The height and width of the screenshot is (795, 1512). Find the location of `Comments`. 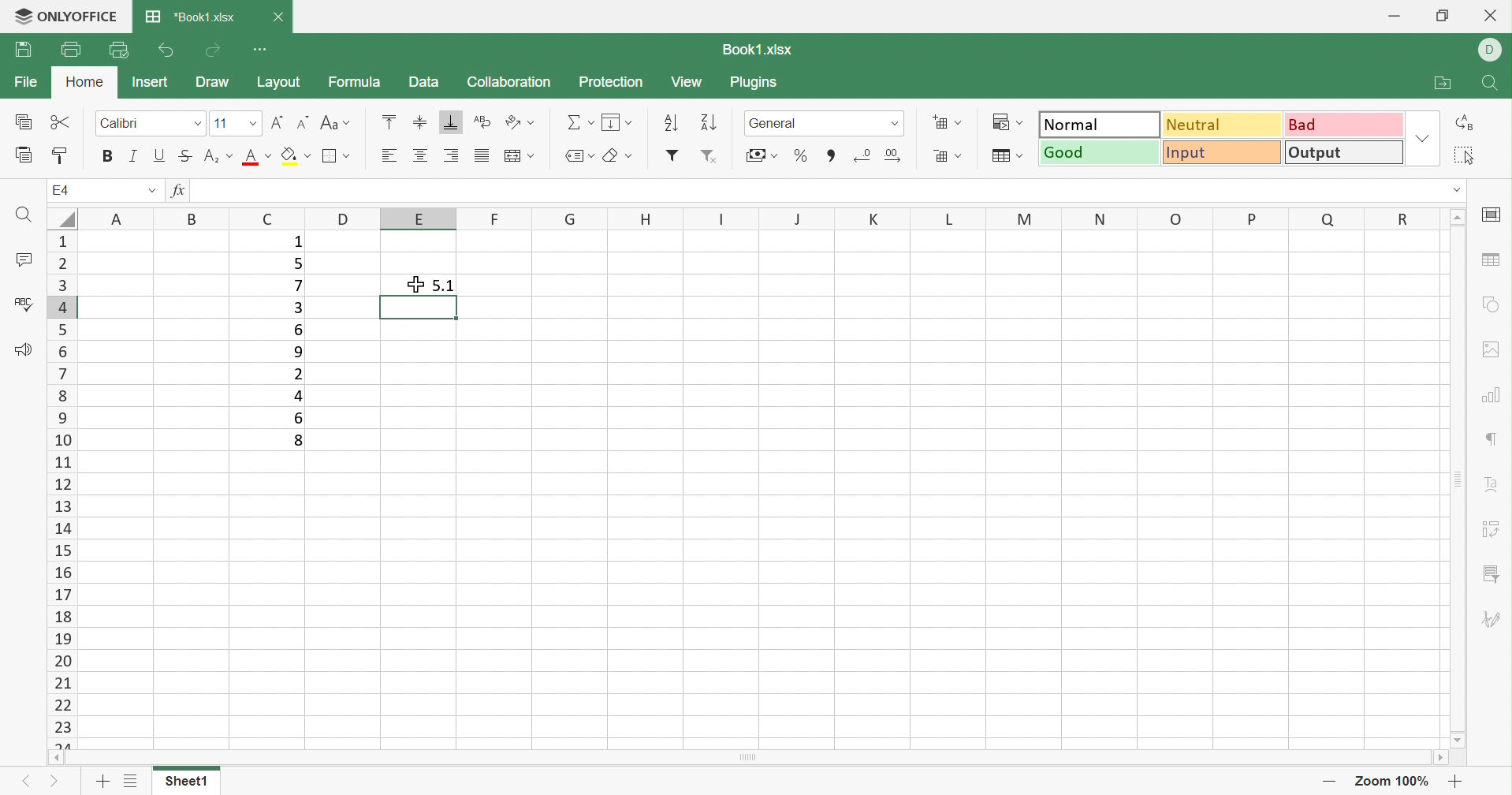

Comments is located at coordinates (23, 260).